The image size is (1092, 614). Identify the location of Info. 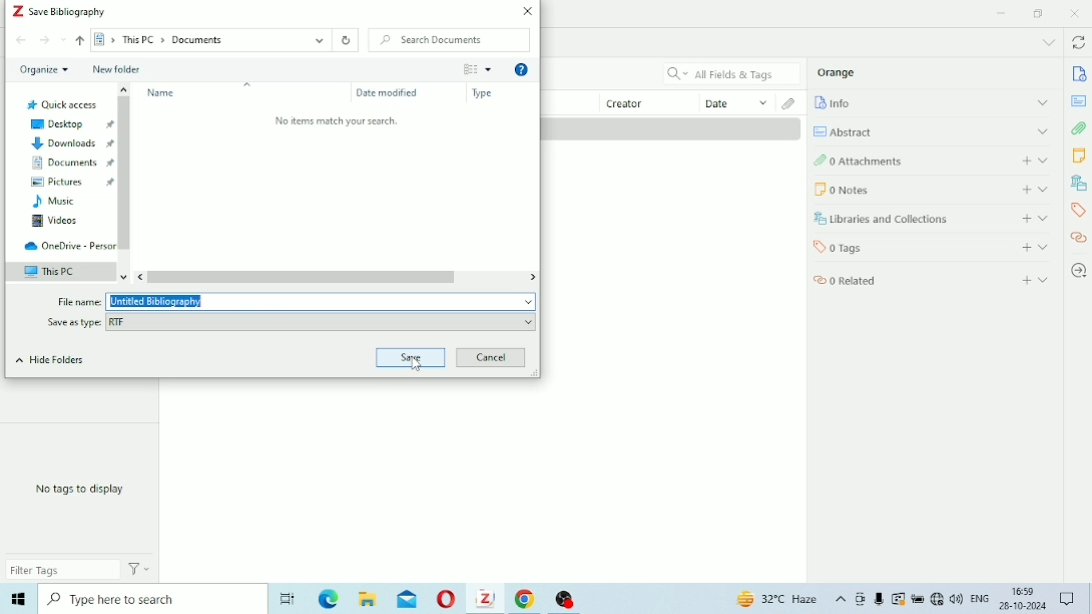
(932, 102).